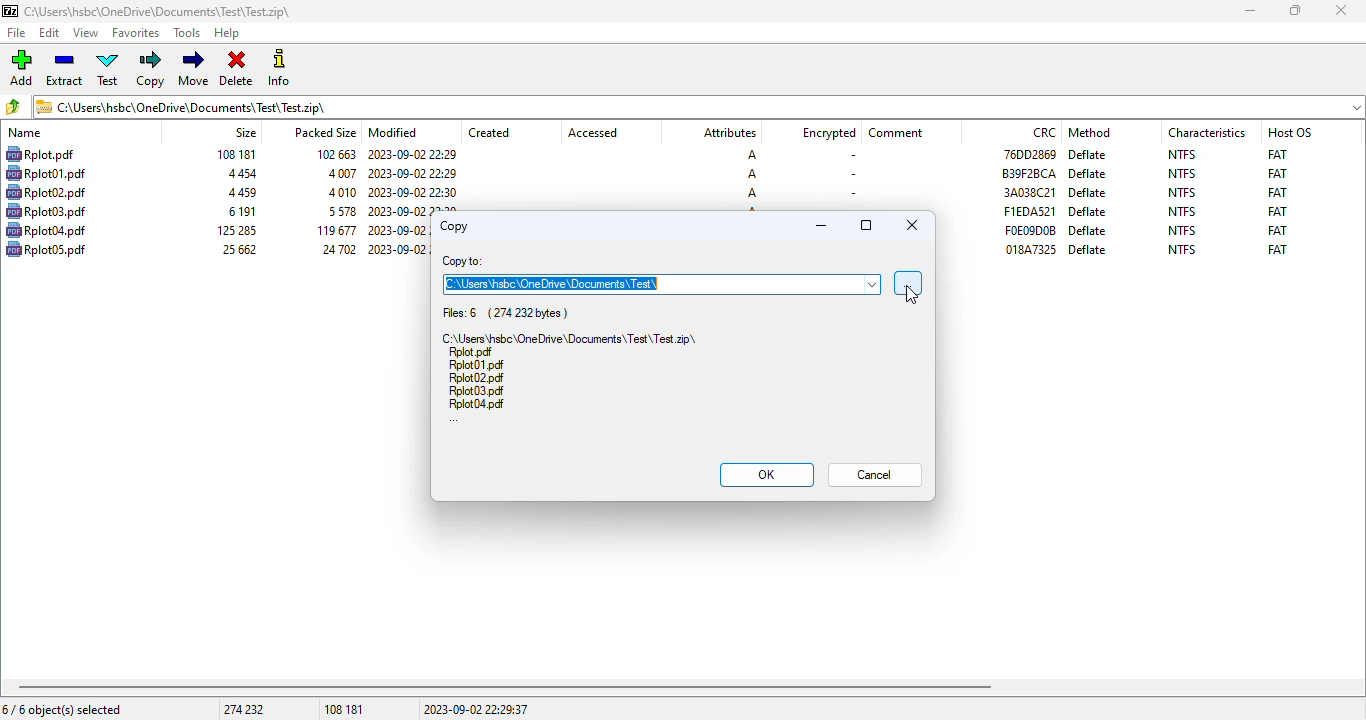 The height and width of the screenshot is (720, 1366). I want to click on tools, so click(188, 34).